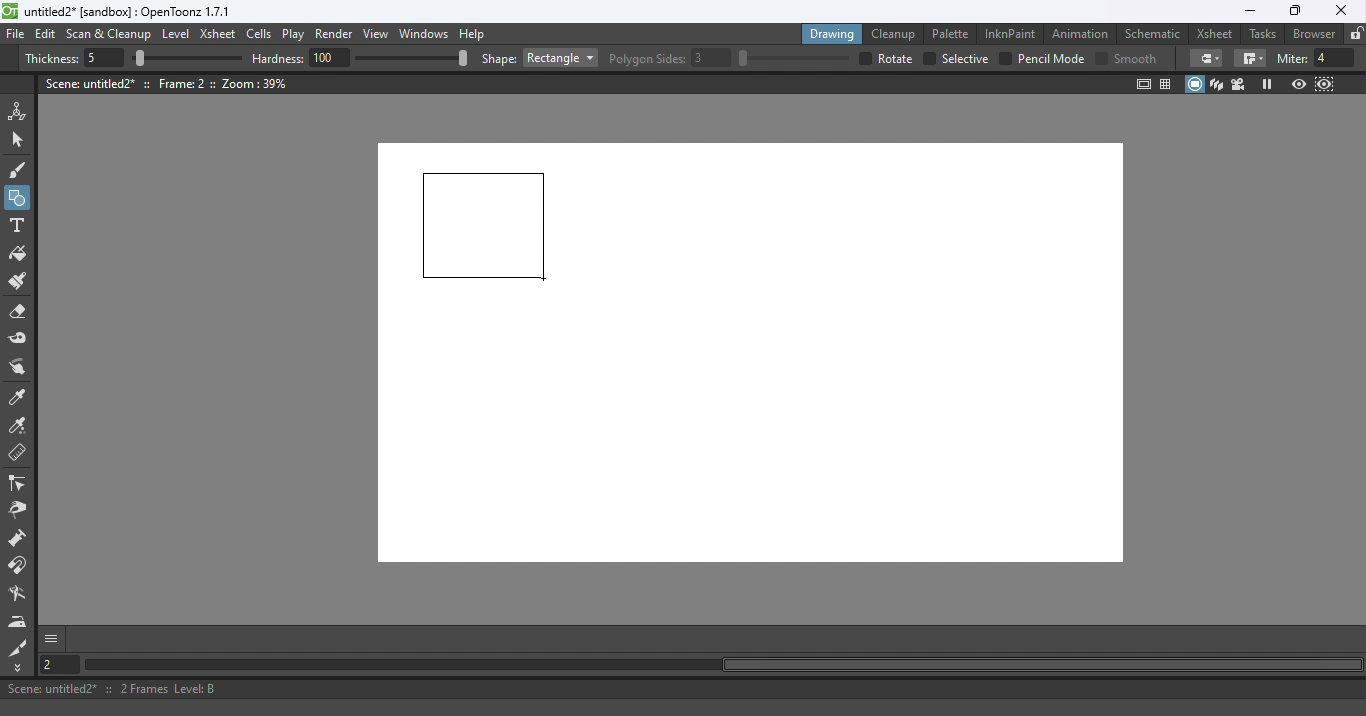 The image size is (1366, 716). I want to click on Rectangle , so click(560, 58).